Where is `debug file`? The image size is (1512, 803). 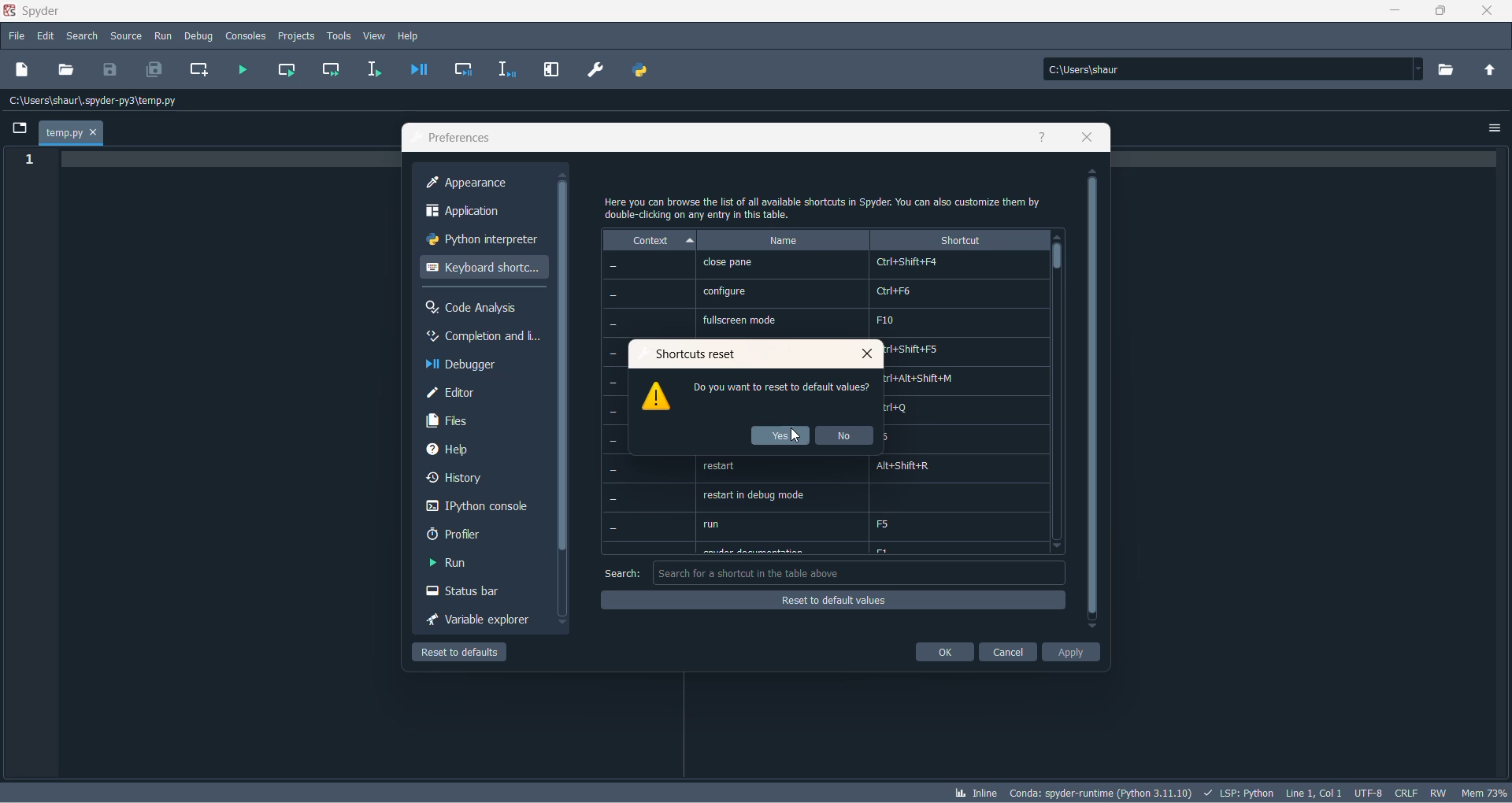 debug file is located at coordinates (420, 71).